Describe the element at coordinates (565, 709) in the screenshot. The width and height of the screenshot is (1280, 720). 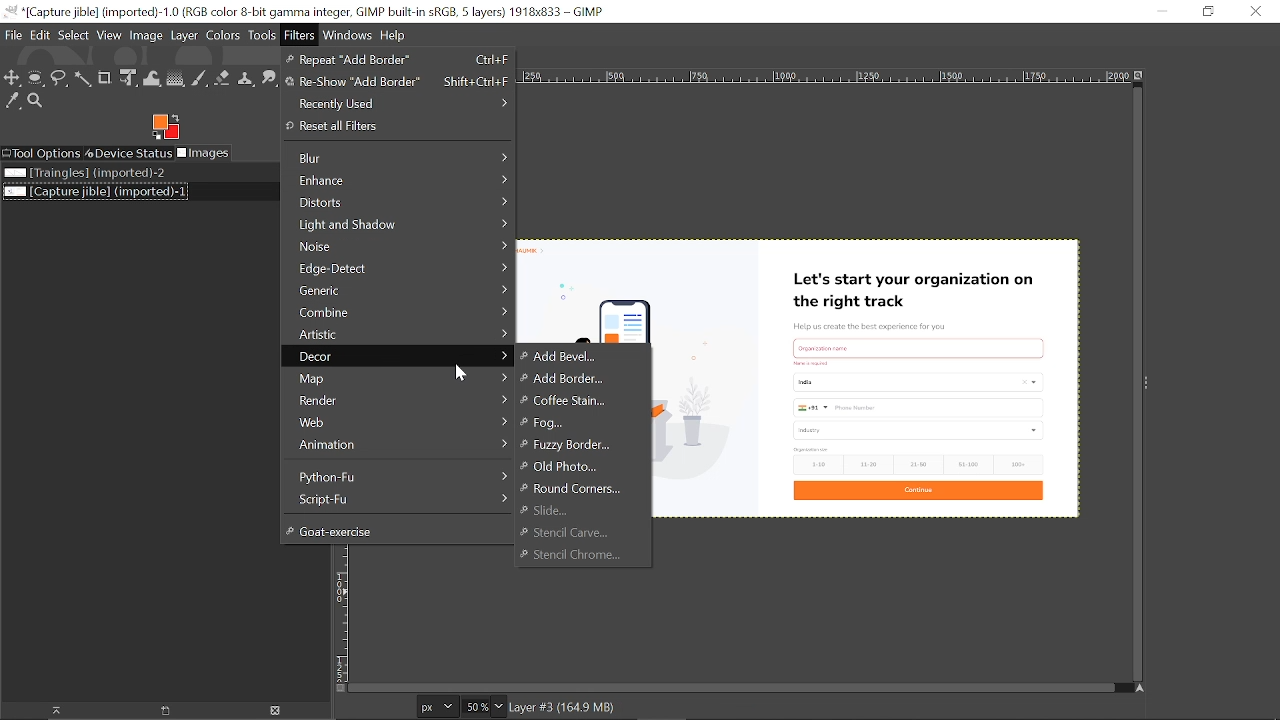
I see `Image info` at that location.